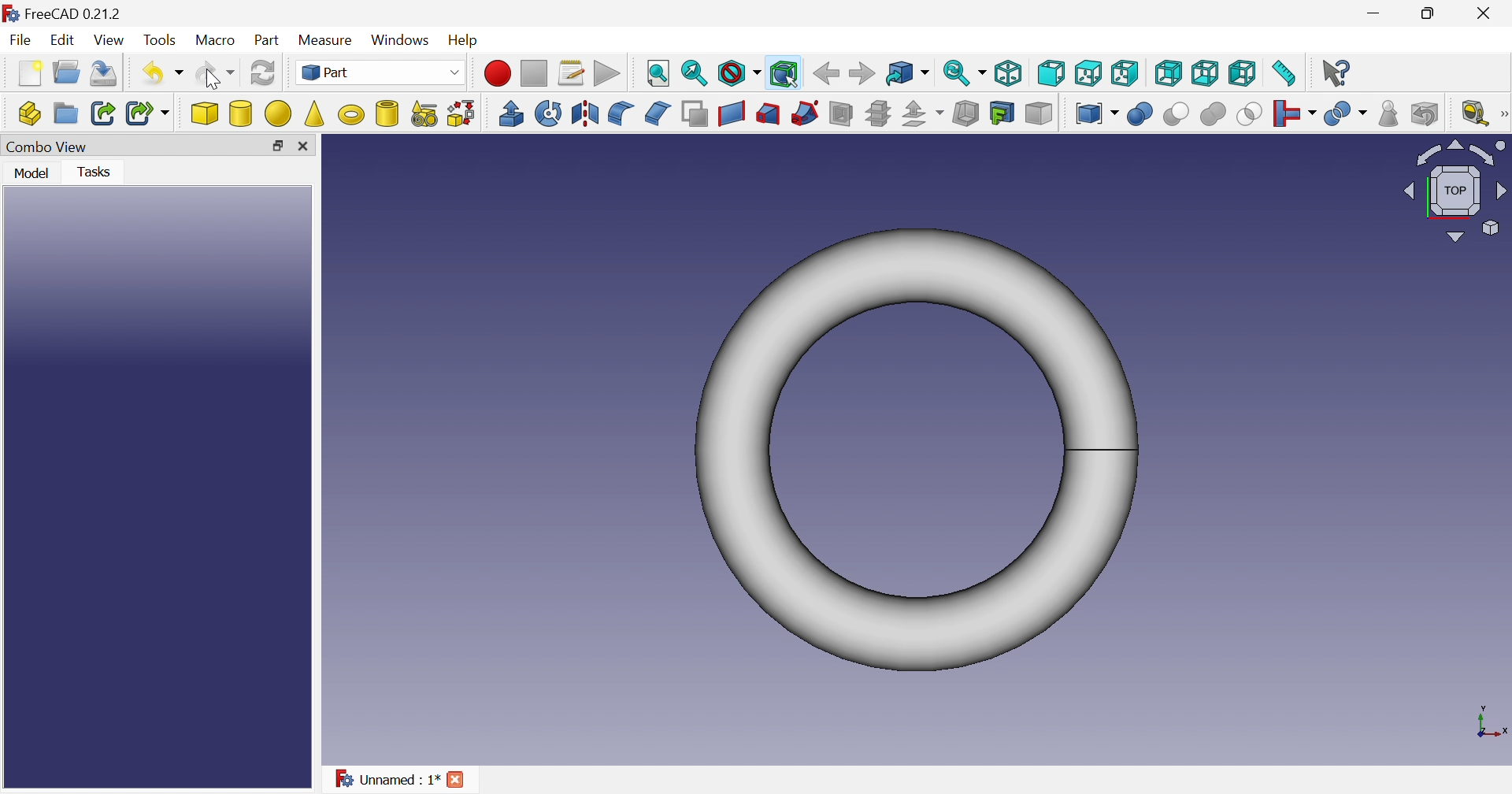 This screenshot has width=1512, height=794. I want to click on Part, so click(269, 40).